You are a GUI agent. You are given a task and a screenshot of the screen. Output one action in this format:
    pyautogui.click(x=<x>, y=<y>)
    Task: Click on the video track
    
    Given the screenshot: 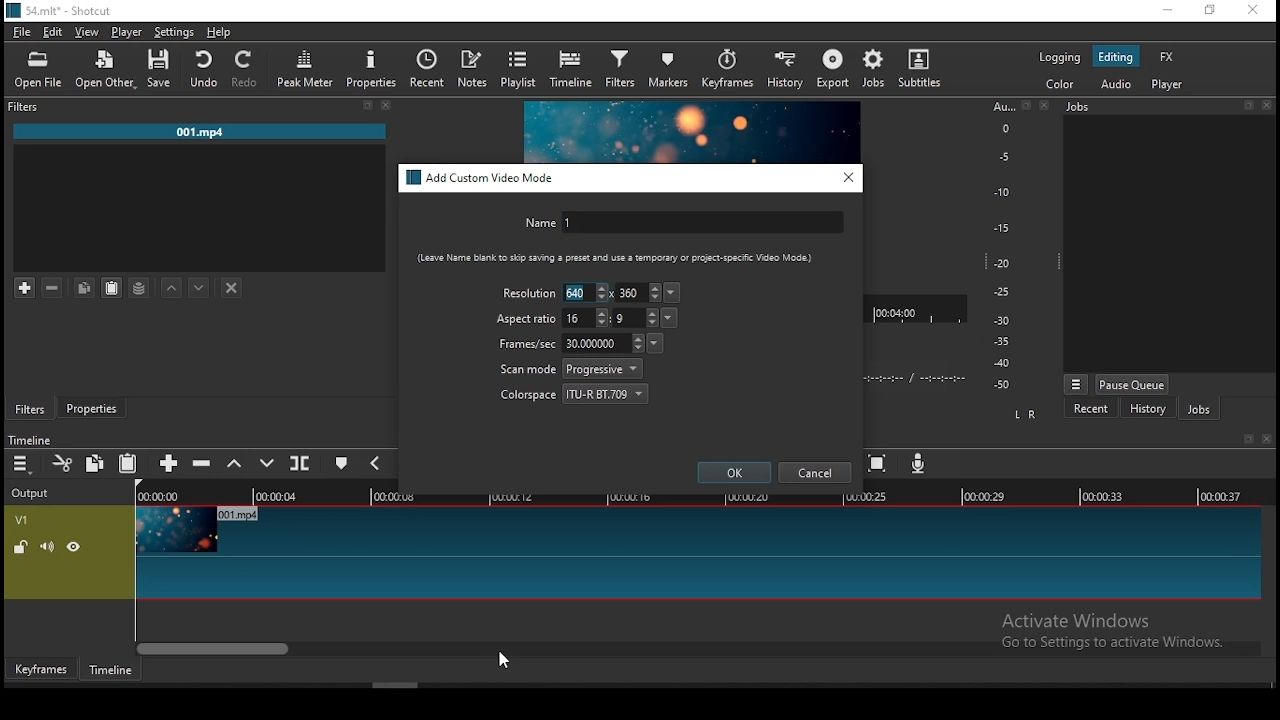 What is the action you would take?
    pyautogui.click(x=697, y=553)
    